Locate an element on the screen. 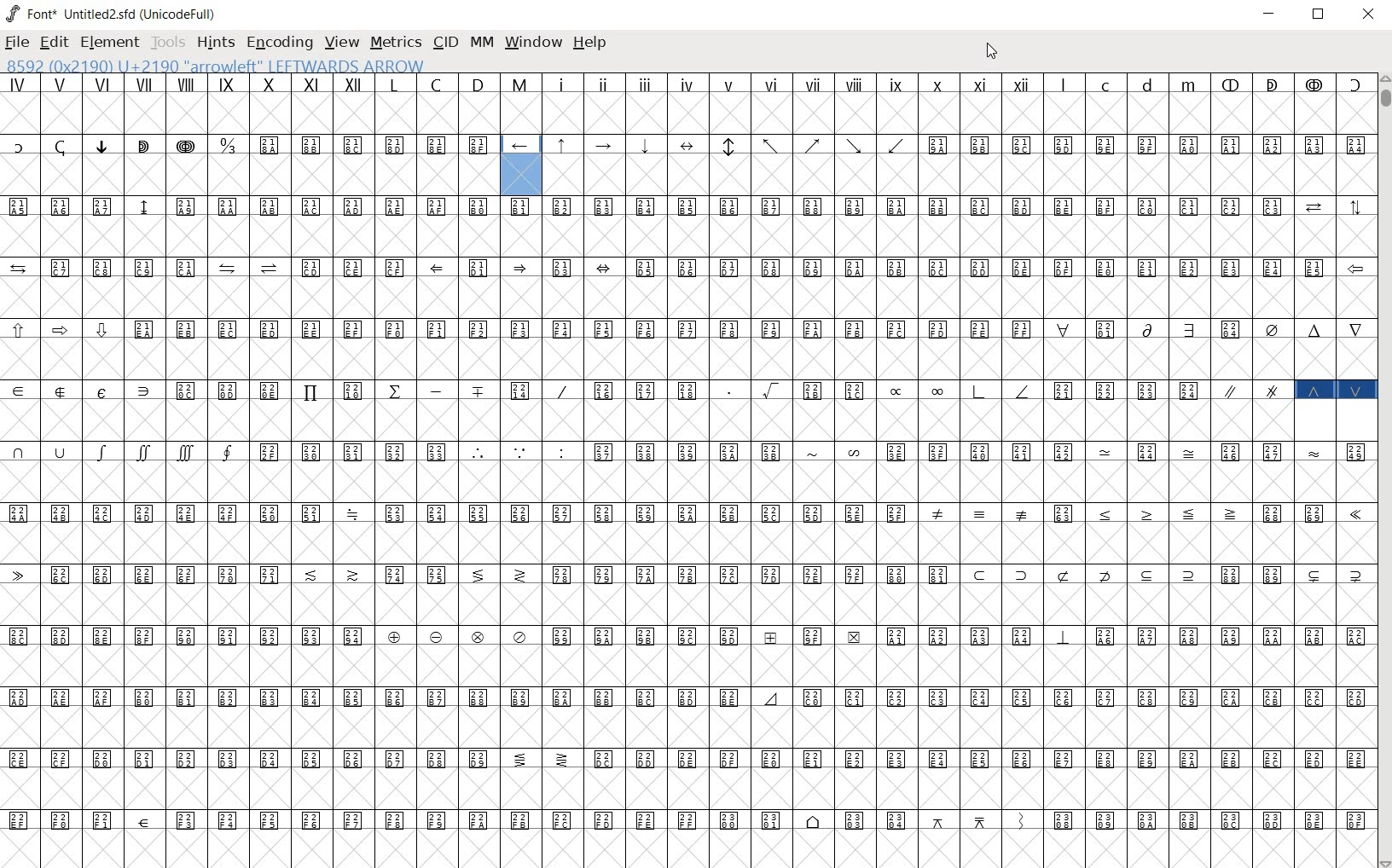 This screenshot has width=1392, height=868. cursor is located at coordinates (991, 54).